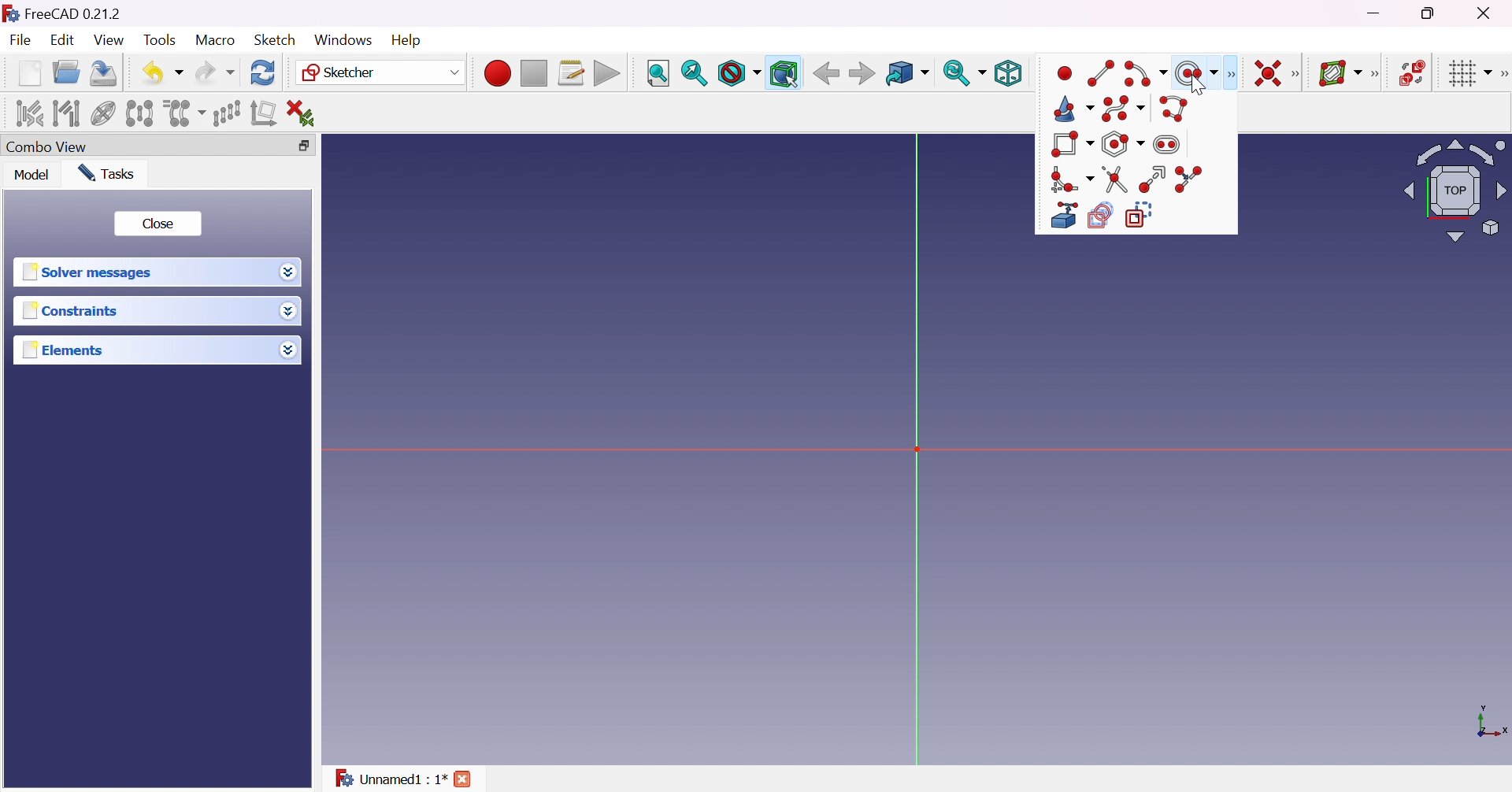 The height and width of the screenshot is (792, 1512). What do you see at coordinates (65, 350) in the screenshot?
I see `Elements` at bounding box center [65, 350].